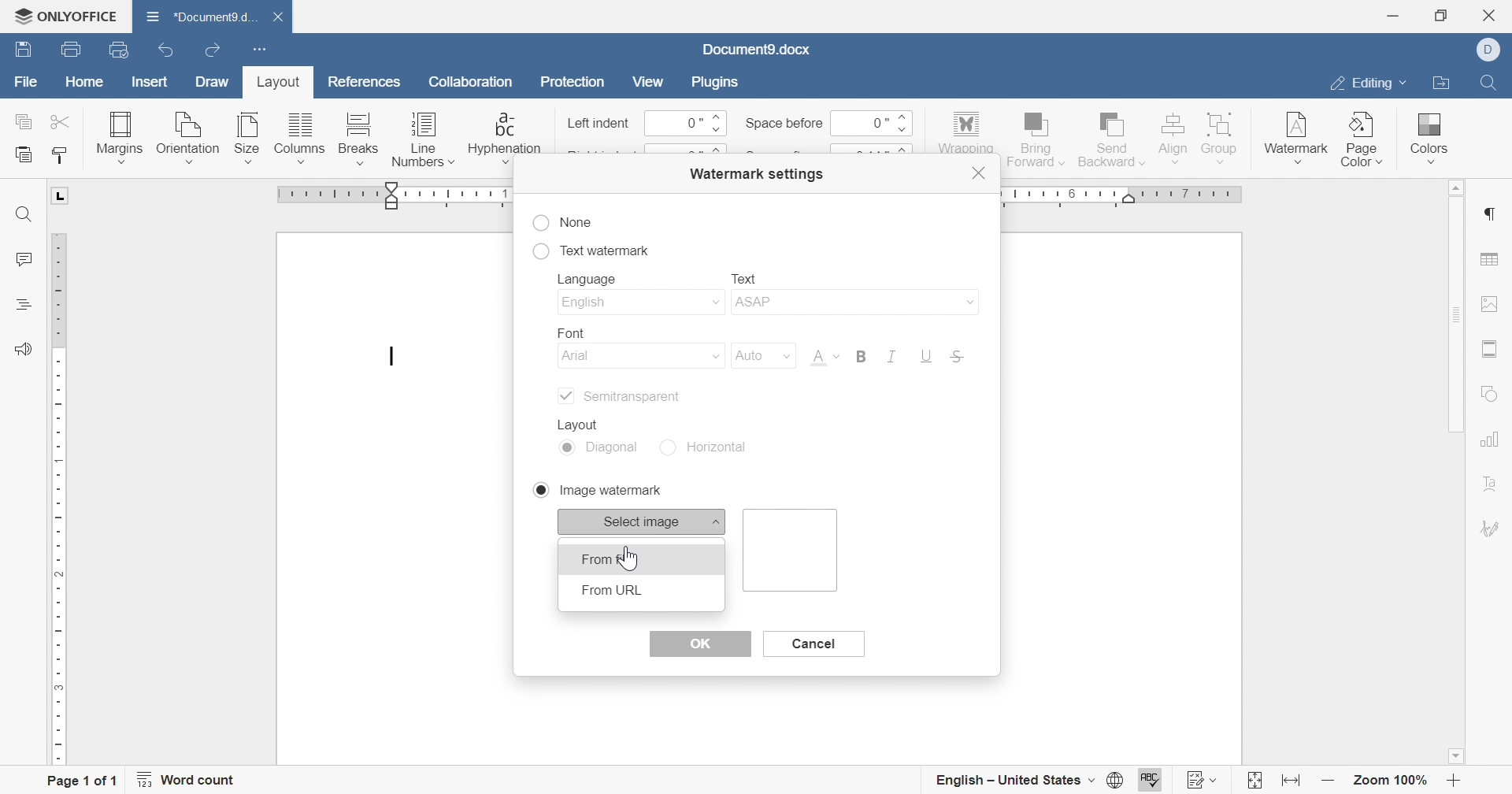 This screenshot has height=794, width=1512. Describe the element at coordinates (215, 52) in the screenshot. I see `redo` at that location.